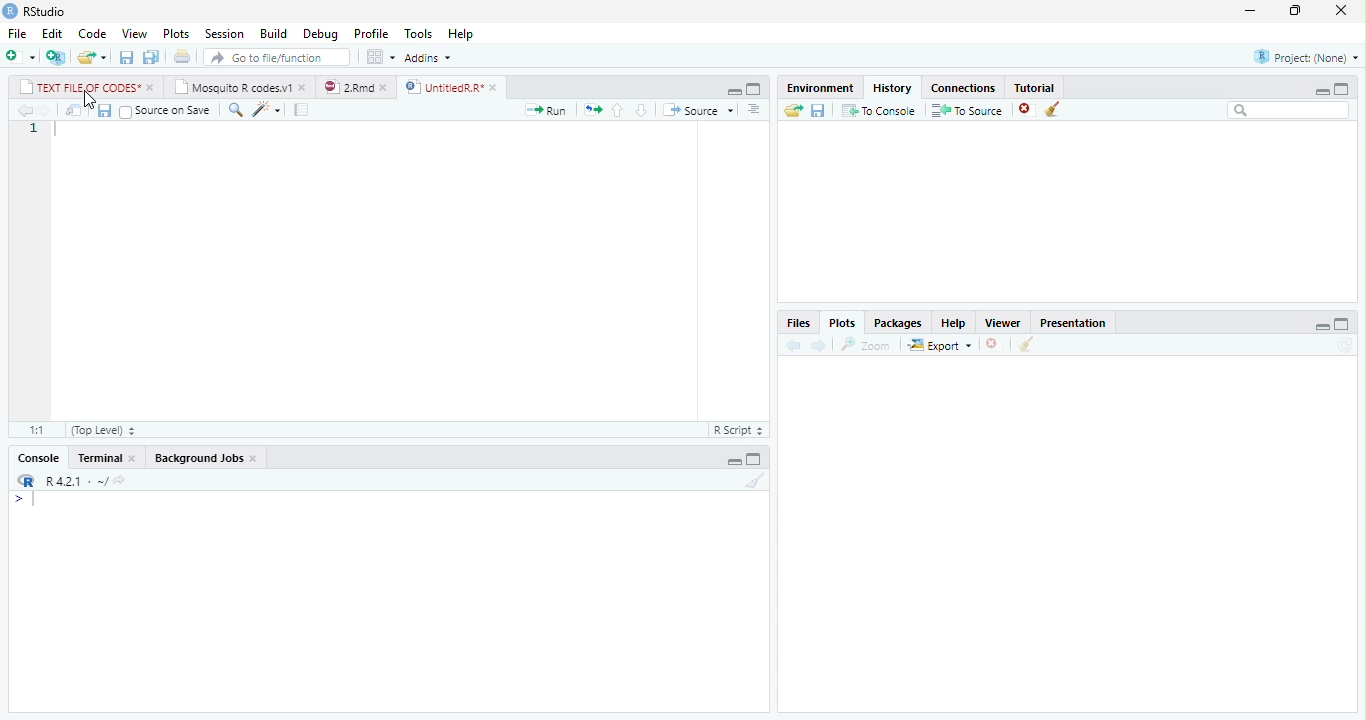  What do you see at coordinates (371, 33) in the screenshot?
I see `Profile` at bounding box center [371, 33].